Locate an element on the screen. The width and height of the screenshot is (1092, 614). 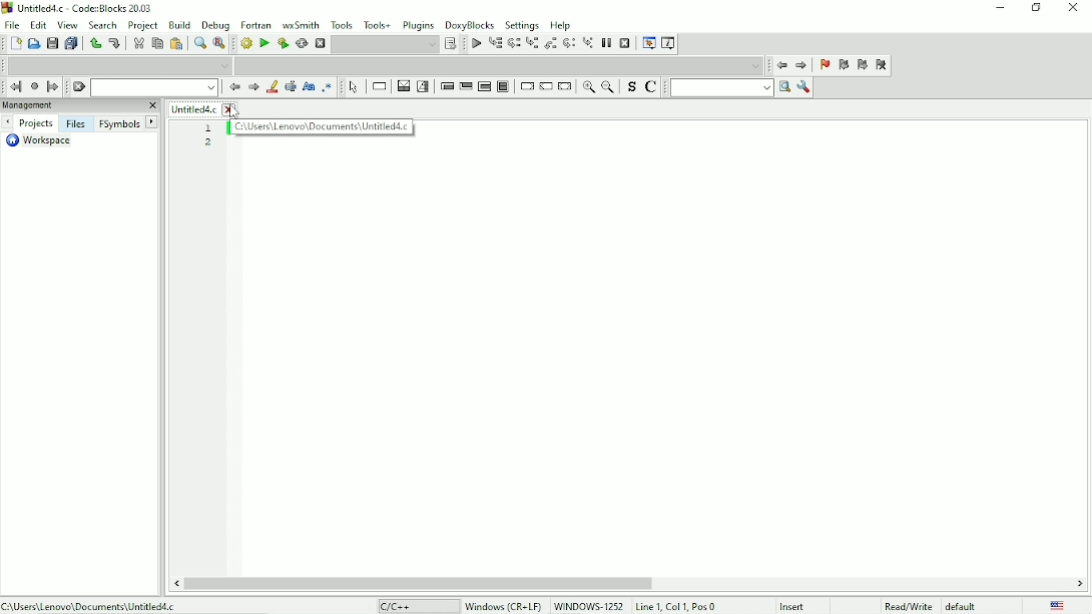
Search is located at coordinates (102, 25).